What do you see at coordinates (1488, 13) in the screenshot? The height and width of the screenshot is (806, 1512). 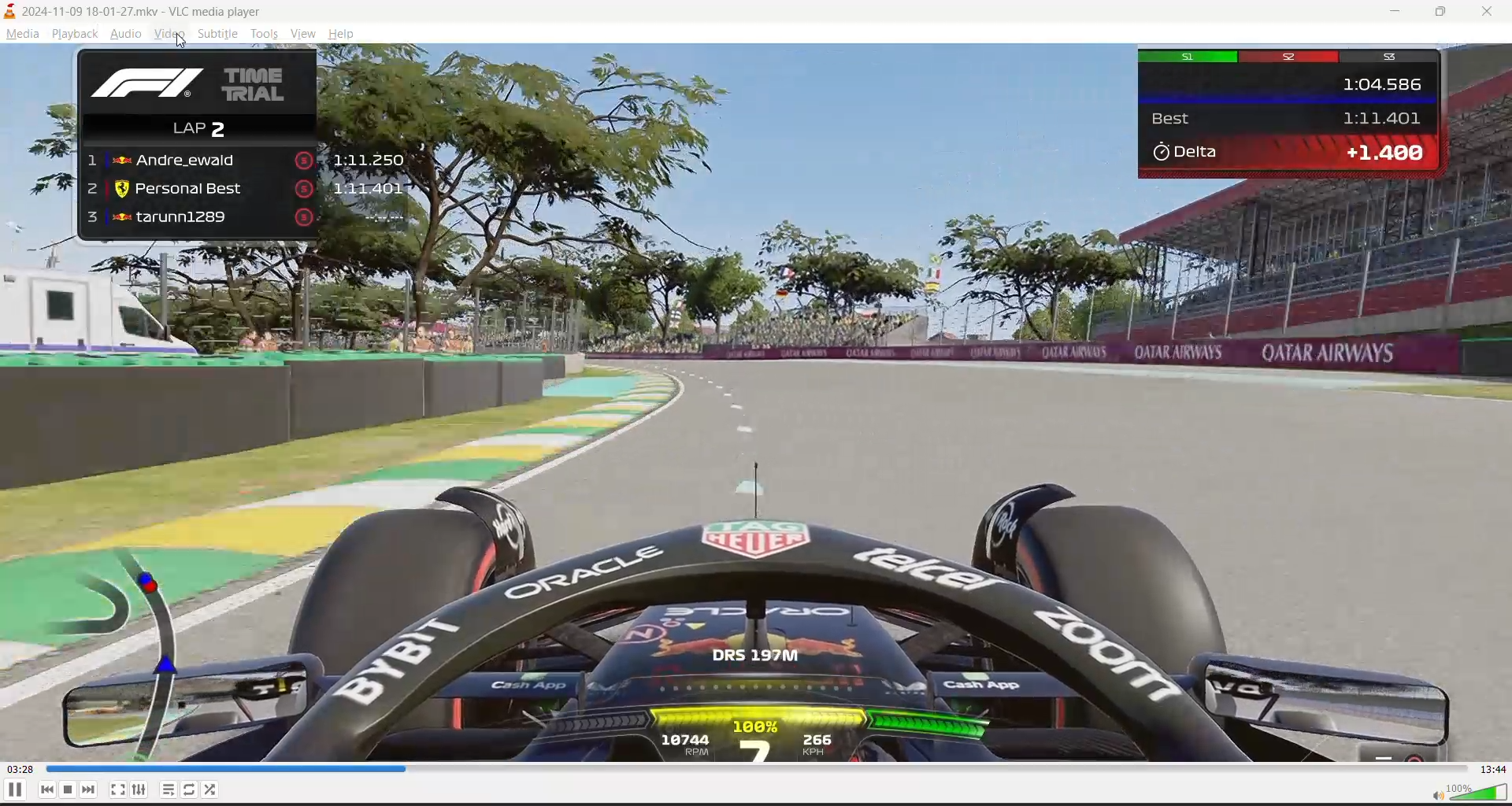 I see `close` at bounding box center [1488, 13].